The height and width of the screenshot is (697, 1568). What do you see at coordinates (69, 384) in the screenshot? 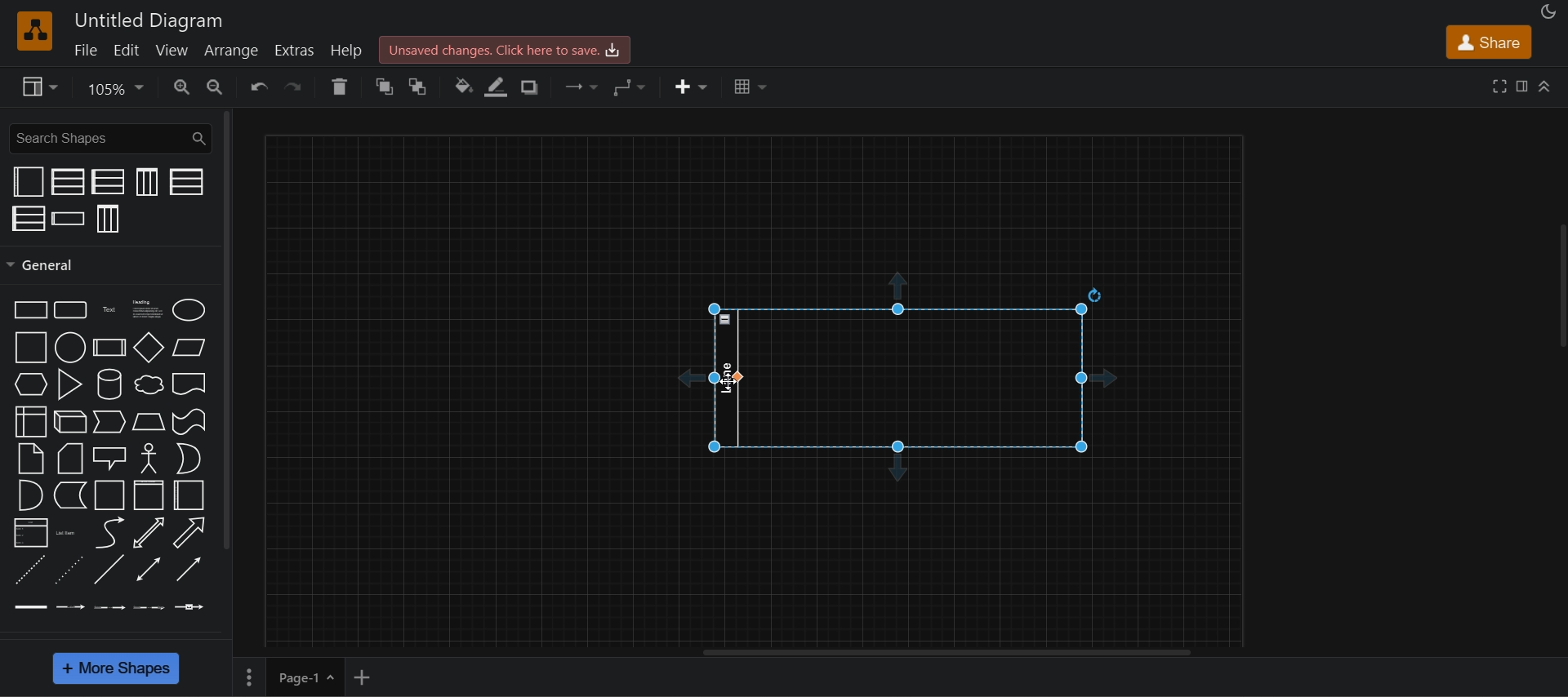
I see `triangle` at bounding box center [69, 384].